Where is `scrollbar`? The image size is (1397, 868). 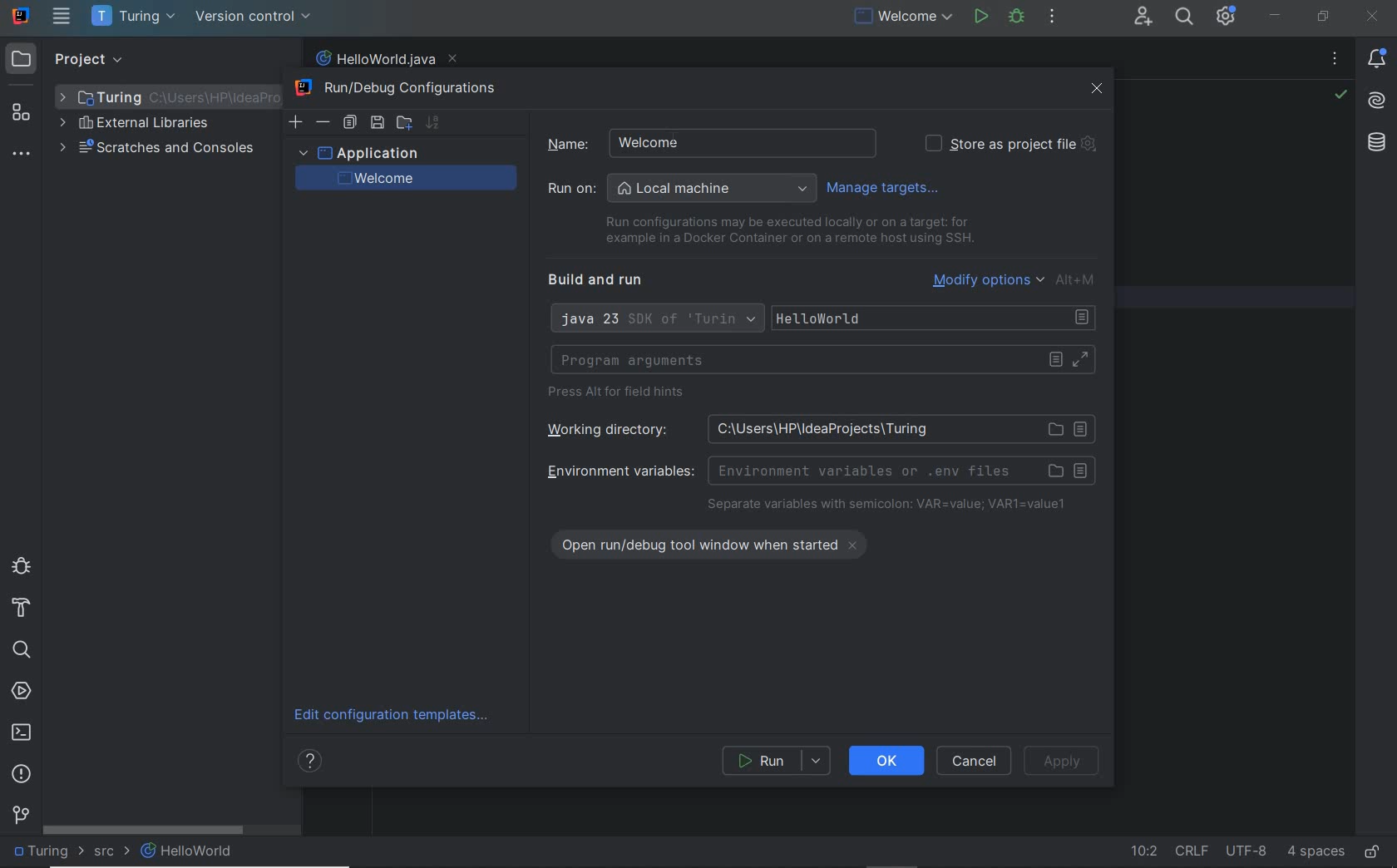 scrollbar is located at coordinates (144, 830).